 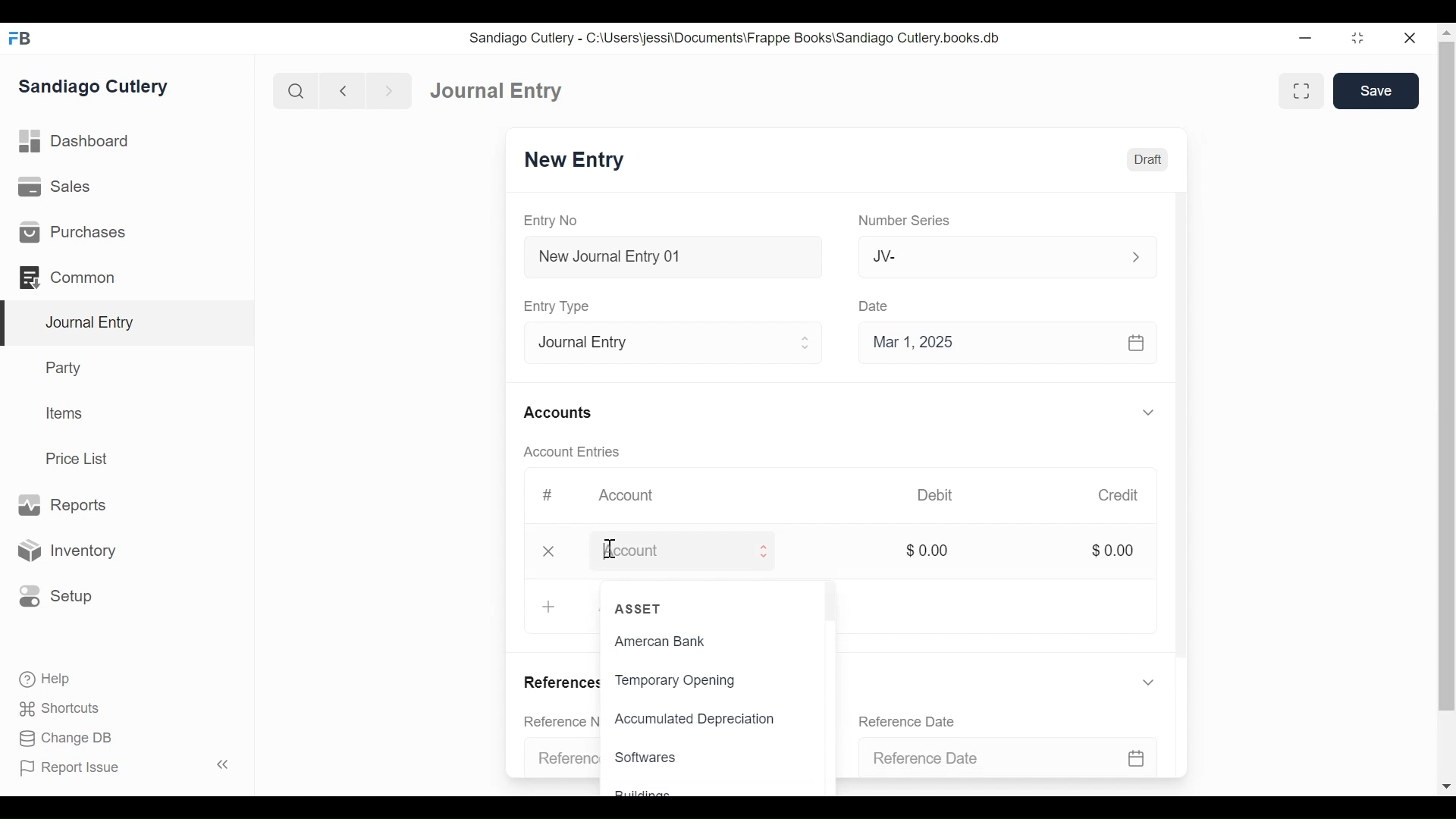 What do you see at coordinates (585, 161) in the screenshot?
I see `New Entry` at bounding box center [585, 161].